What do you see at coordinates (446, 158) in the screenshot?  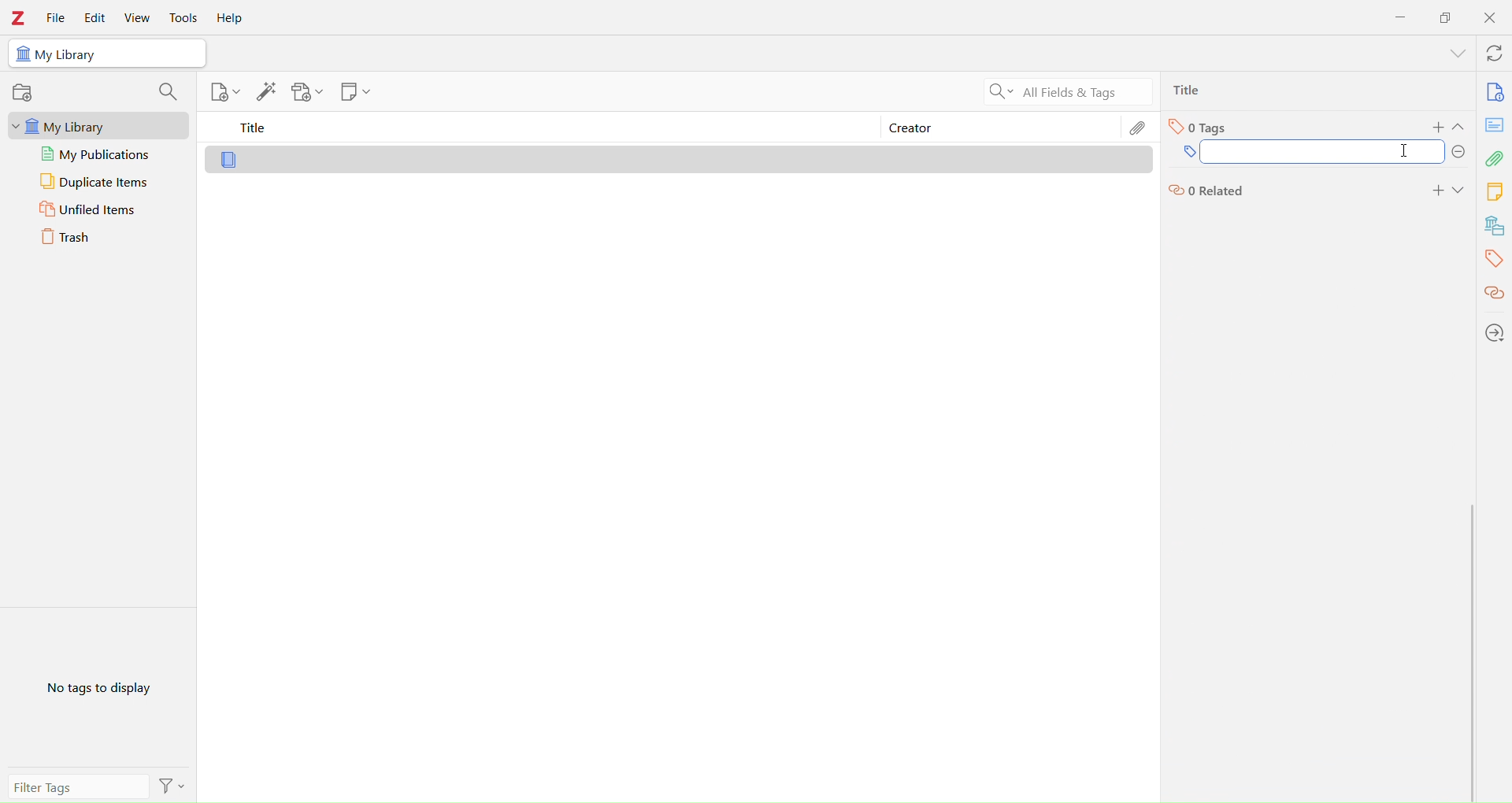 I see `Library` at bounding box center [446, 158].